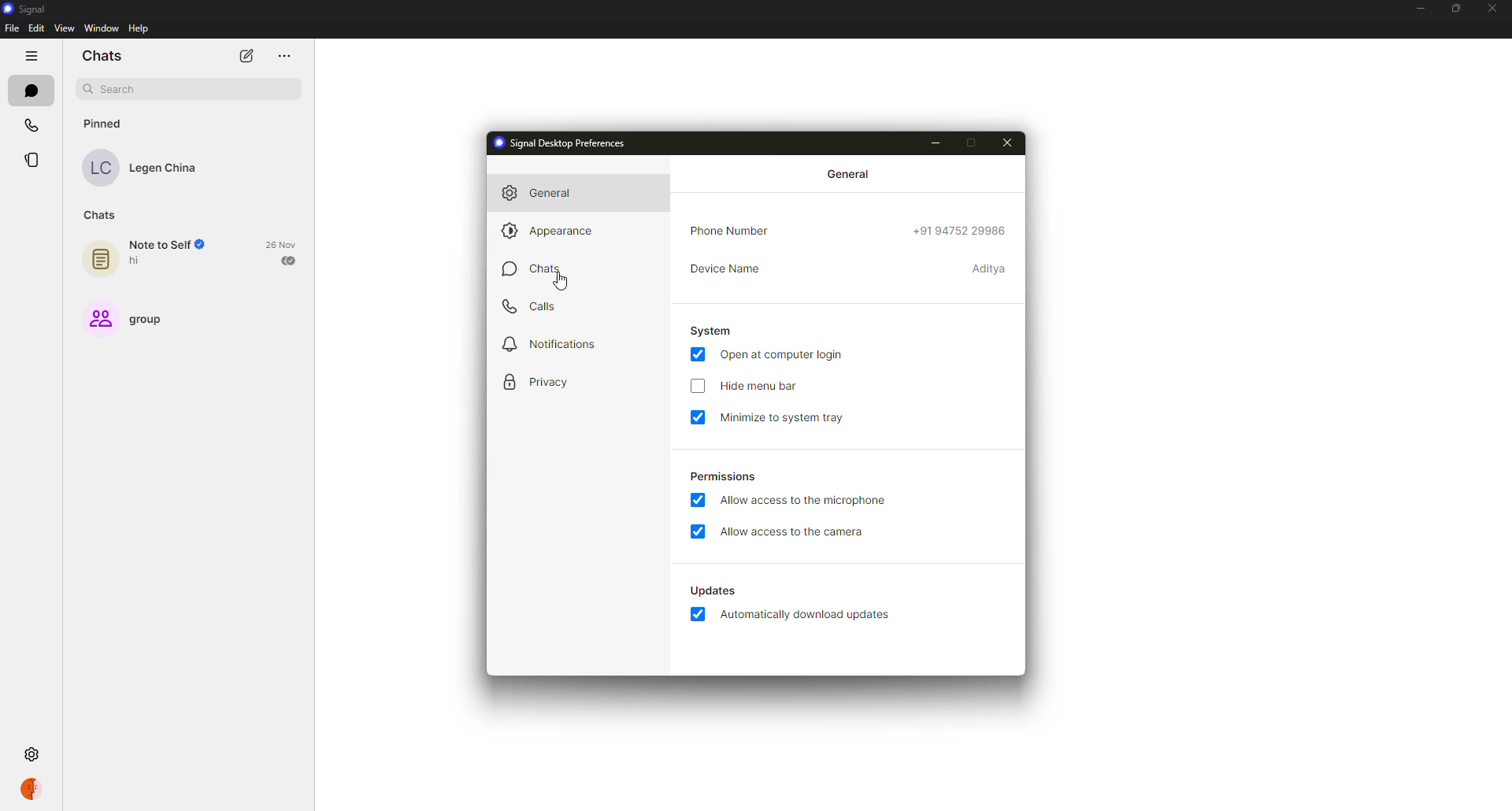  What do you see at coordinates (289, 261) in the screenshot?
I see `sent` at bounding box center [289, 261].